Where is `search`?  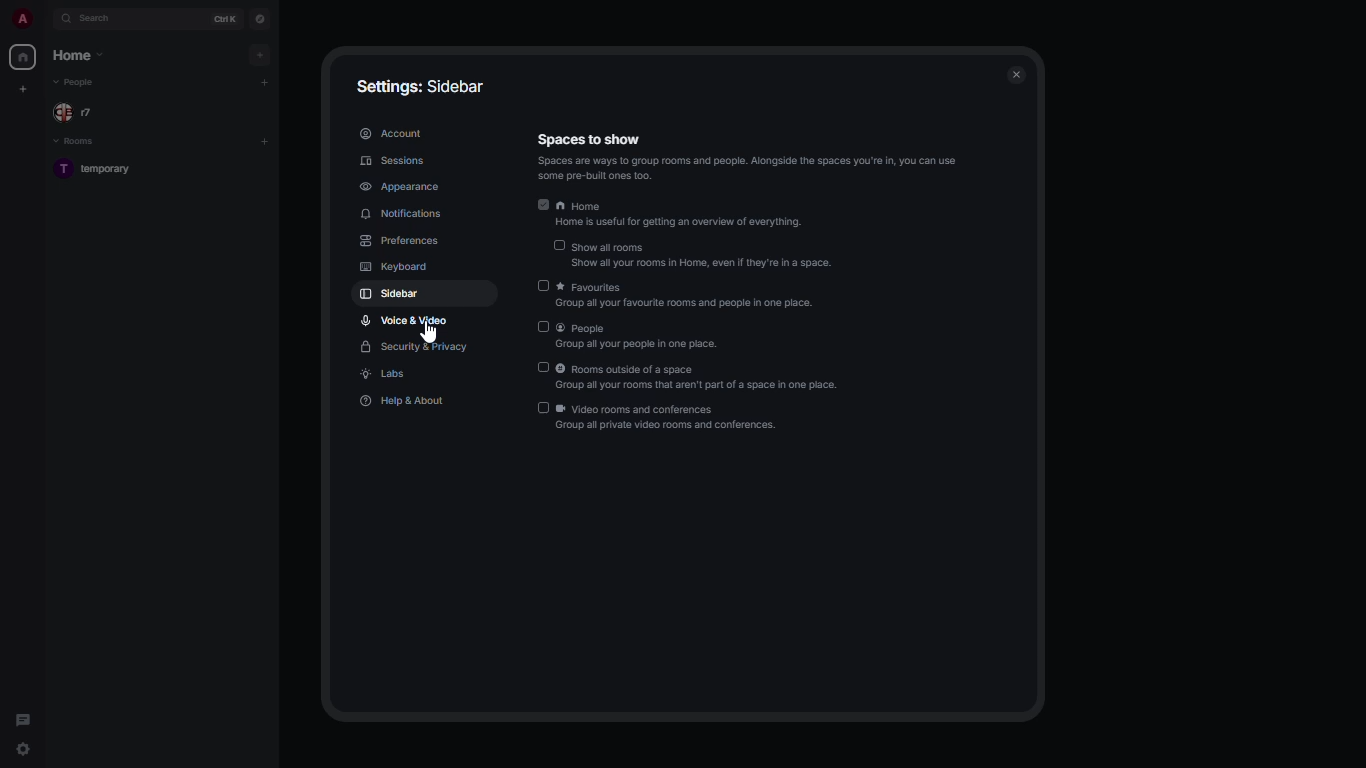
search is located at coordinates (106, 19).